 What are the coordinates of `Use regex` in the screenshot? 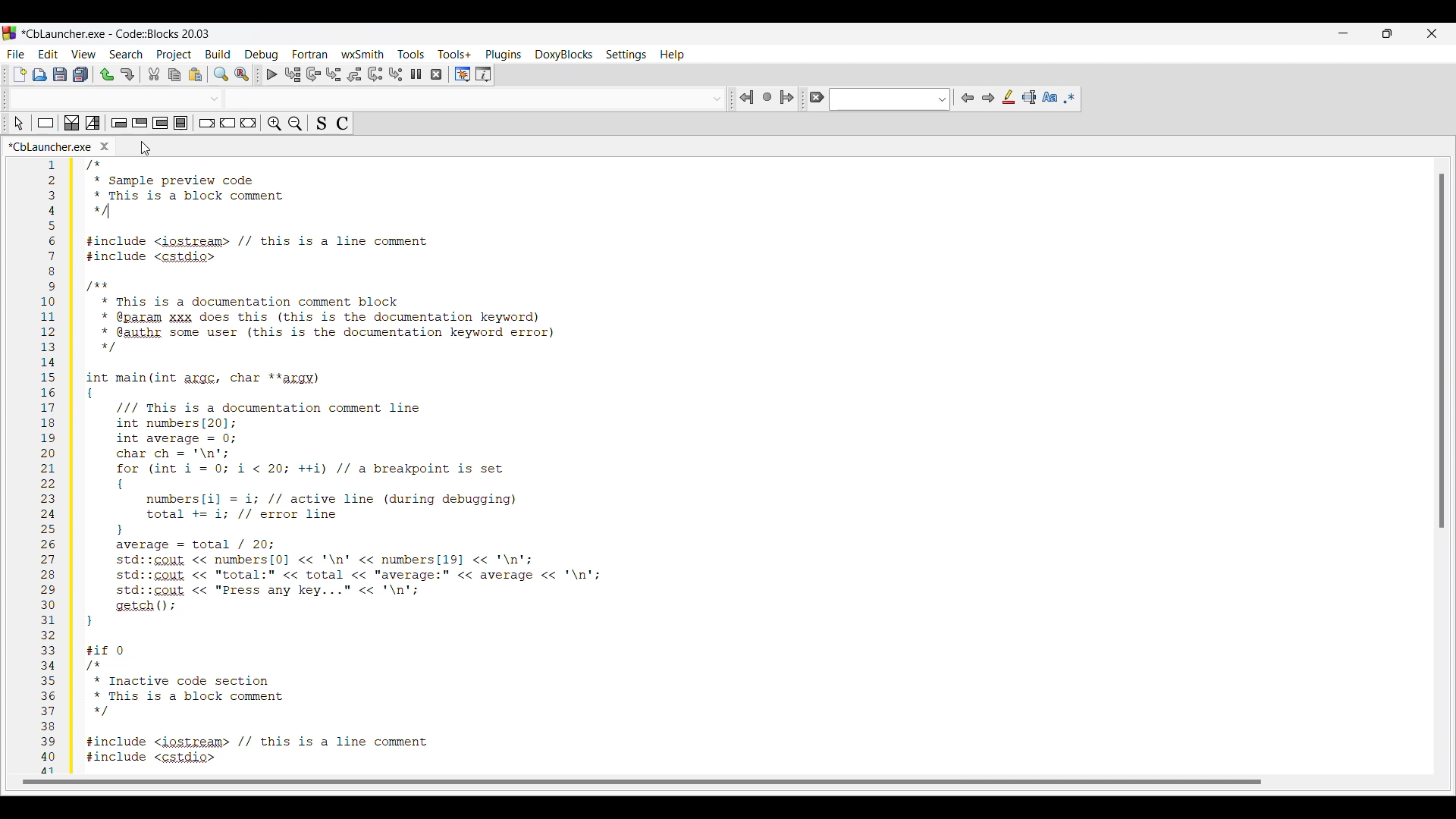 It's located at (1070, 98).